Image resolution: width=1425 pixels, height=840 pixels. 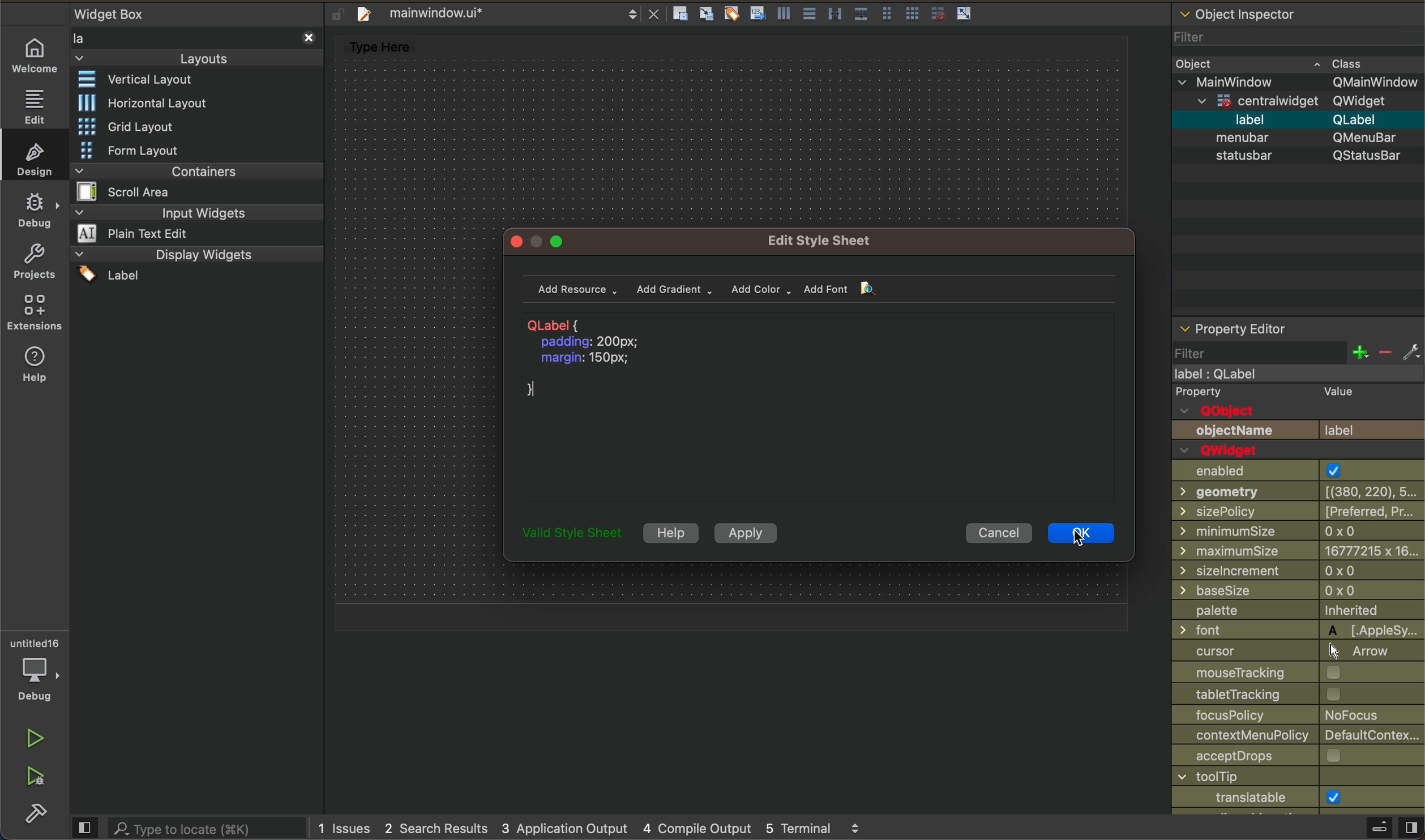 What do you see at coordinates (35, 315) in the screenshot?
I see `extensions` at bounding box center [35, 315].